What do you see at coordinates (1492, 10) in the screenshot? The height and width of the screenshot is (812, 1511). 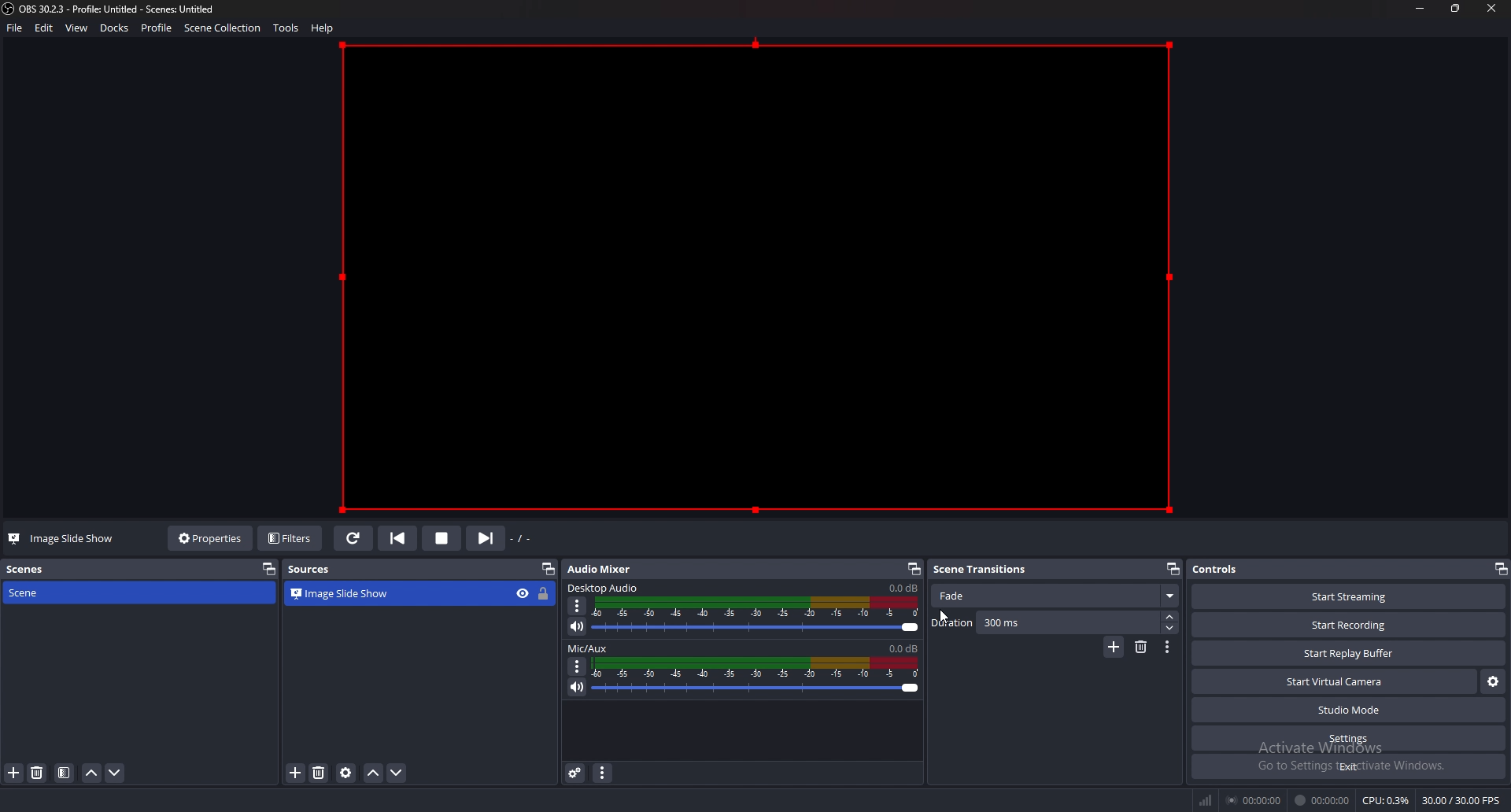 I see `close` at bounding box center [1492, 10].